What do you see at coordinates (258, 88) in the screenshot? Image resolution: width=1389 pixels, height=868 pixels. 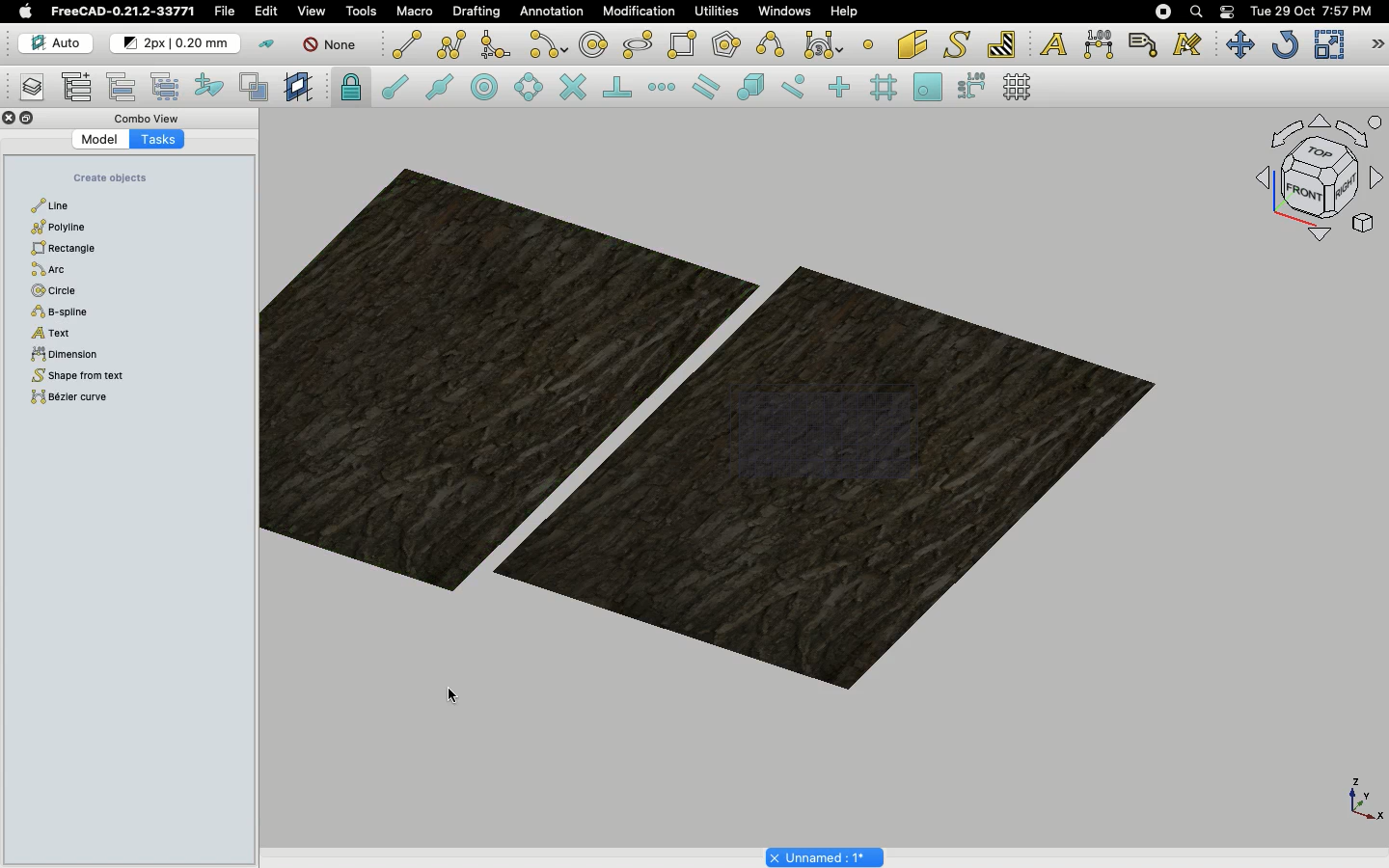 I see `Create working plane proxy` at bounding box center [258, 88].